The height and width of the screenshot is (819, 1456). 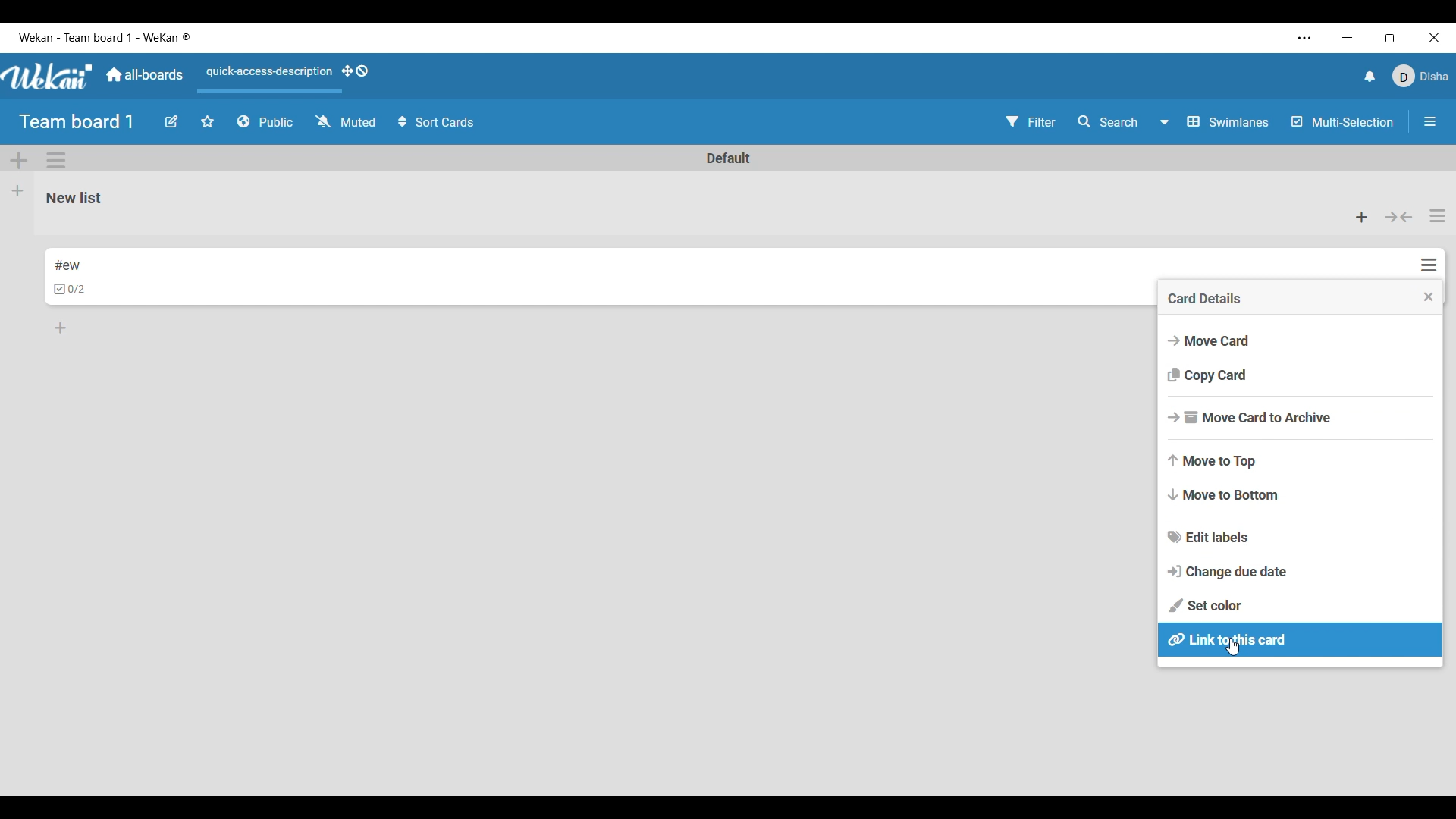 What do you see at coordinates (1344, 122) in the screenshot?
I see `Multi-Selection` at bounding box center [1344, 122].